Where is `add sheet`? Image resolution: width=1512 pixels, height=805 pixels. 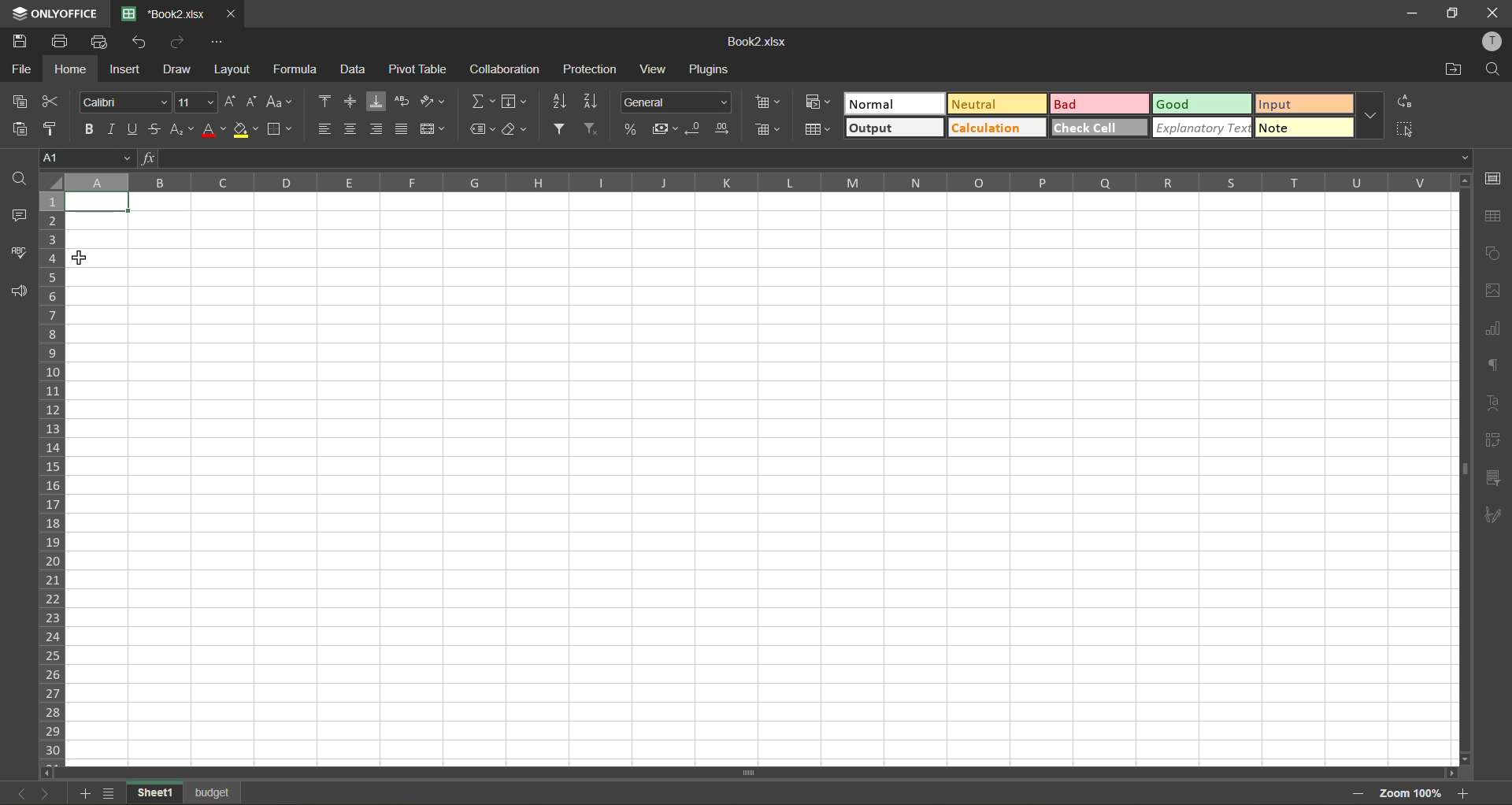 add sheet is located at coordinates (81, 795).